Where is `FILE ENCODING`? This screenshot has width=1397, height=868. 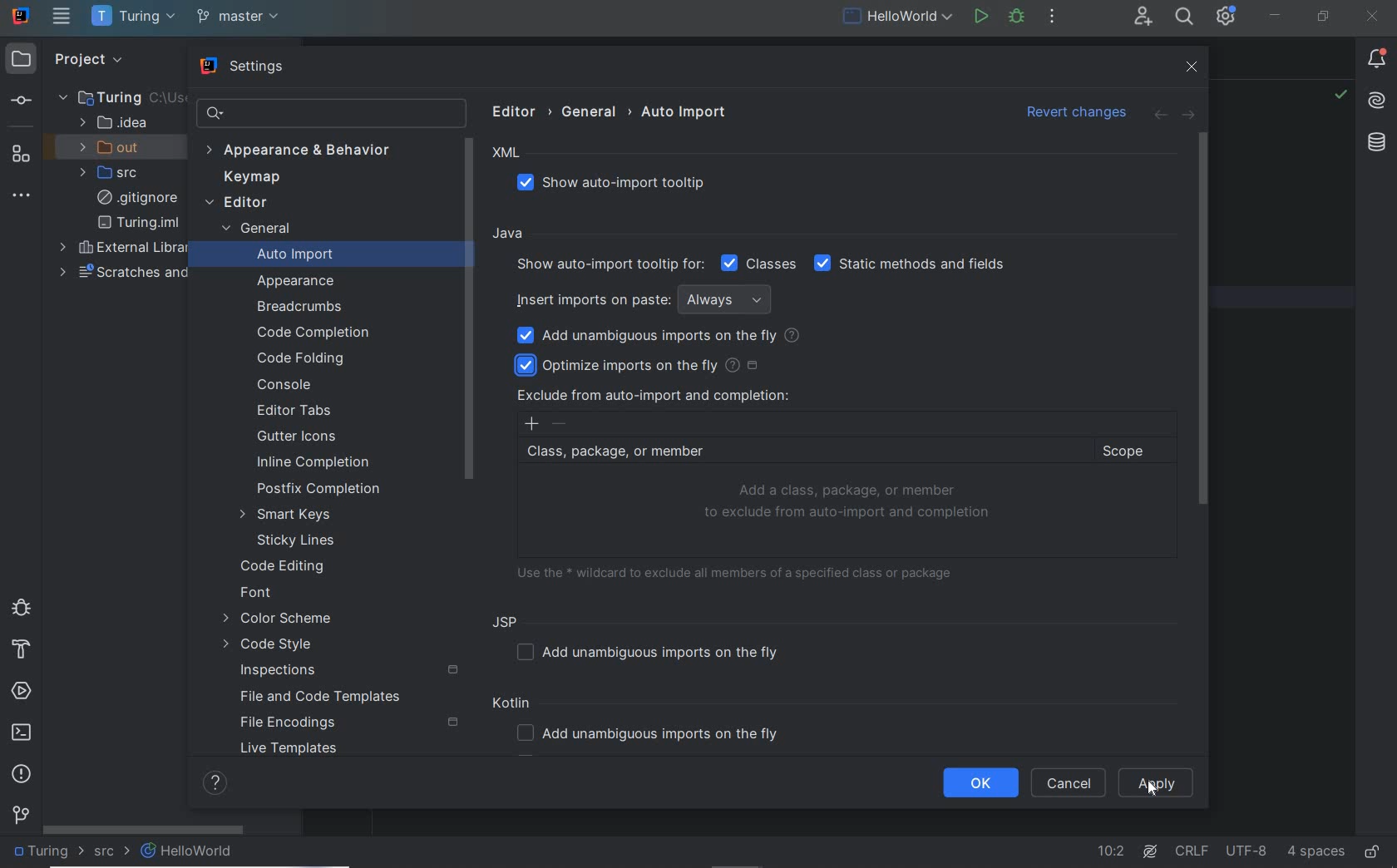 FILE ENCODING is located at coordinates (348, 723).